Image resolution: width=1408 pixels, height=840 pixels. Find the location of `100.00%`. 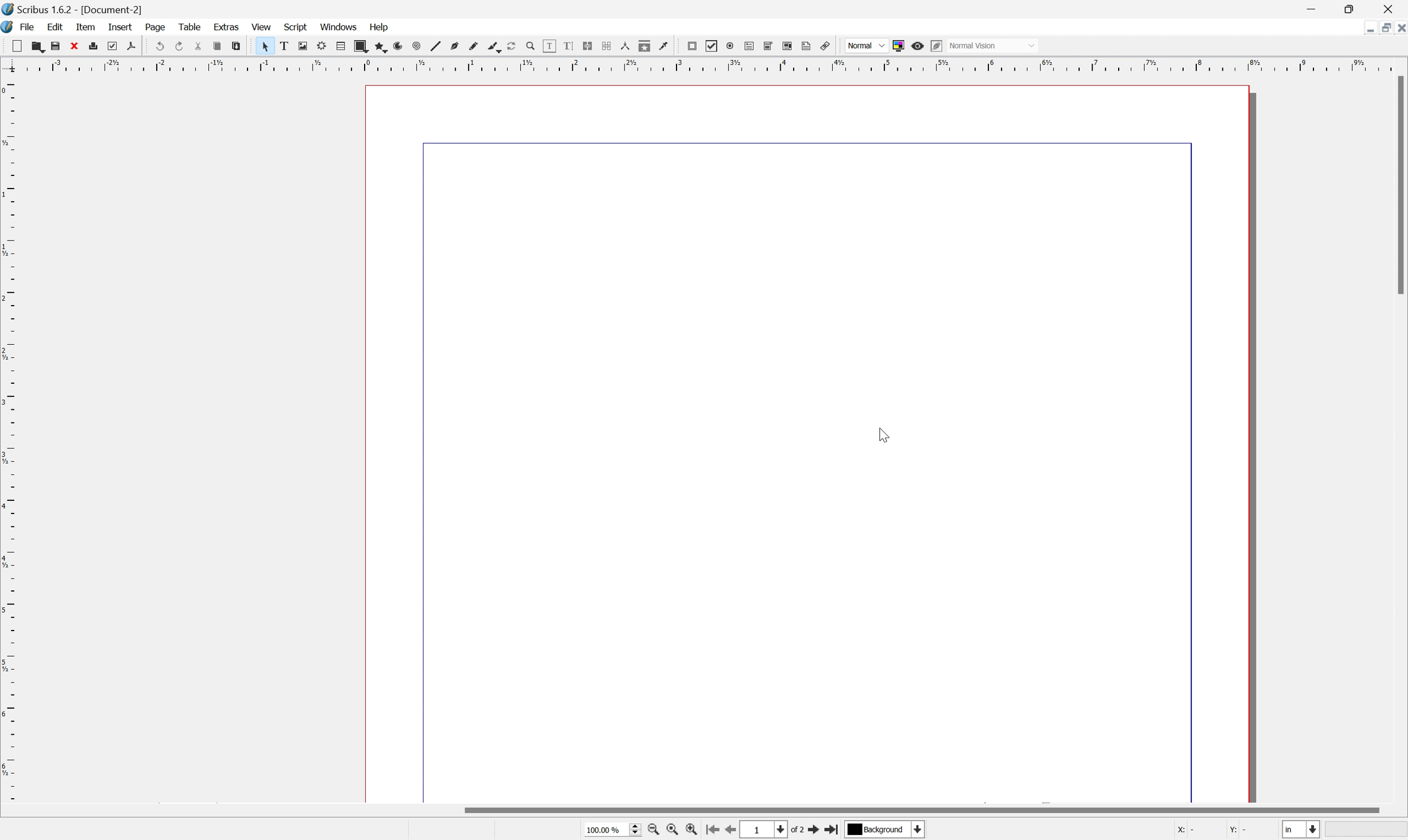

100.00% is located at coordinates (608, 829).